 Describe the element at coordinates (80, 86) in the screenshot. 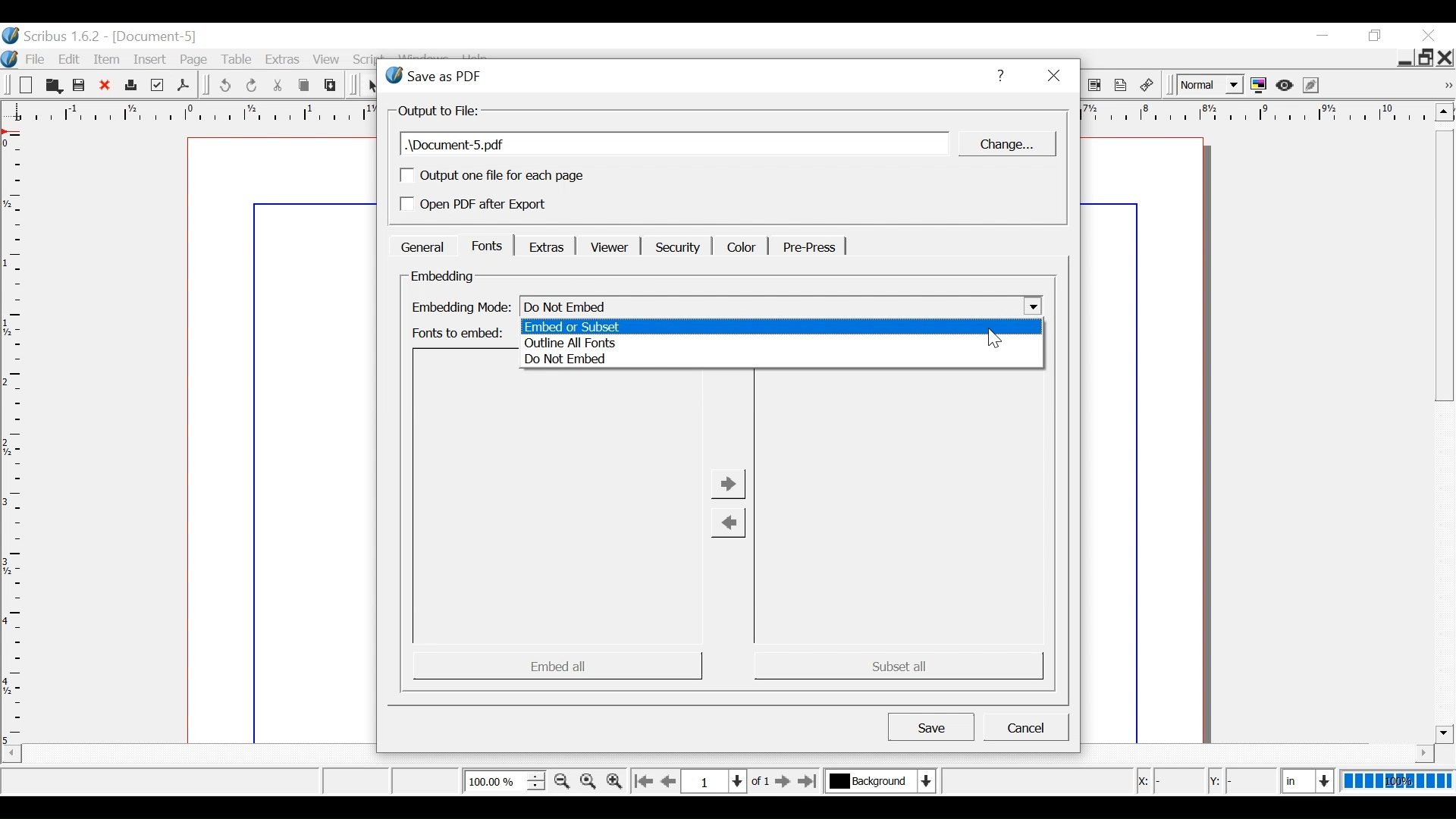

I see `Save` at that location.